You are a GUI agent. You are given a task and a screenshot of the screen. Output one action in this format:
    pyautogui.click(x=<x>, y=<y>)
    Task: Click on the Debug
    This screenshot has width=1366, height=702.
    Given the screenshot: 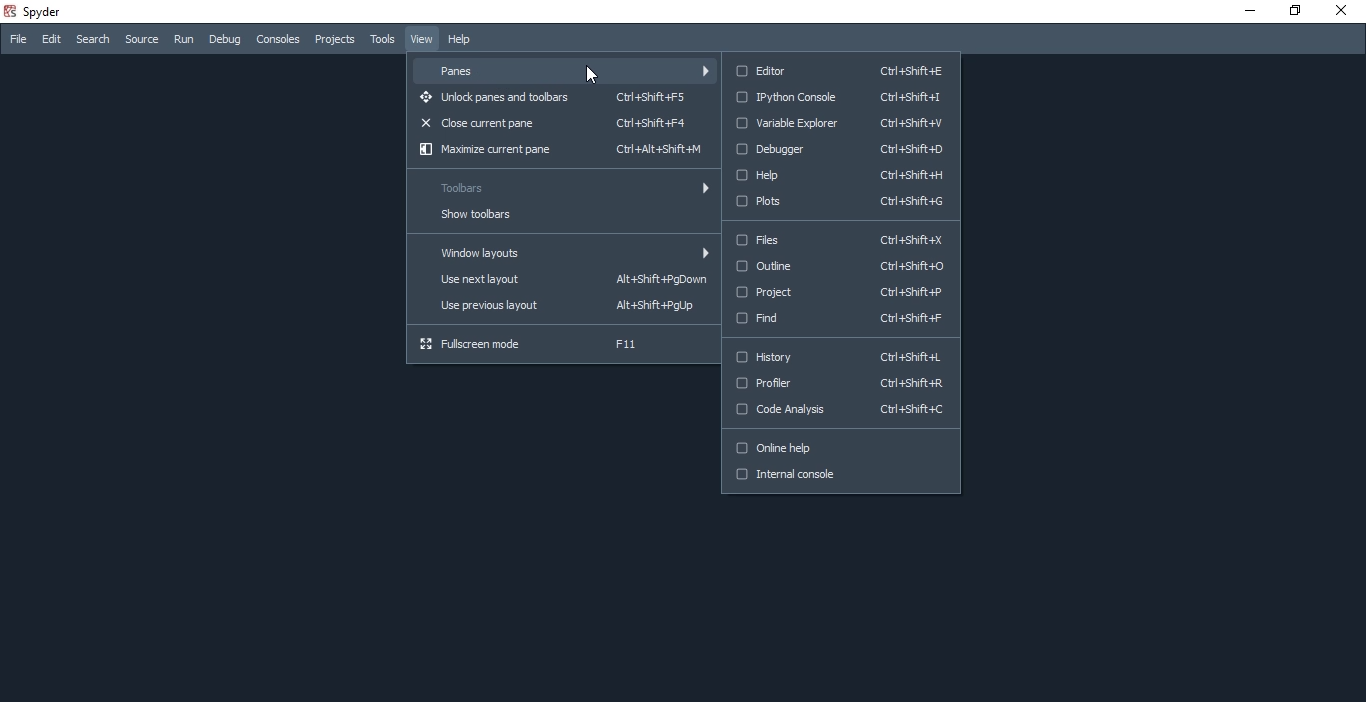 What is the action you would take?
    pyautogui.click(x=225, y=40)
    